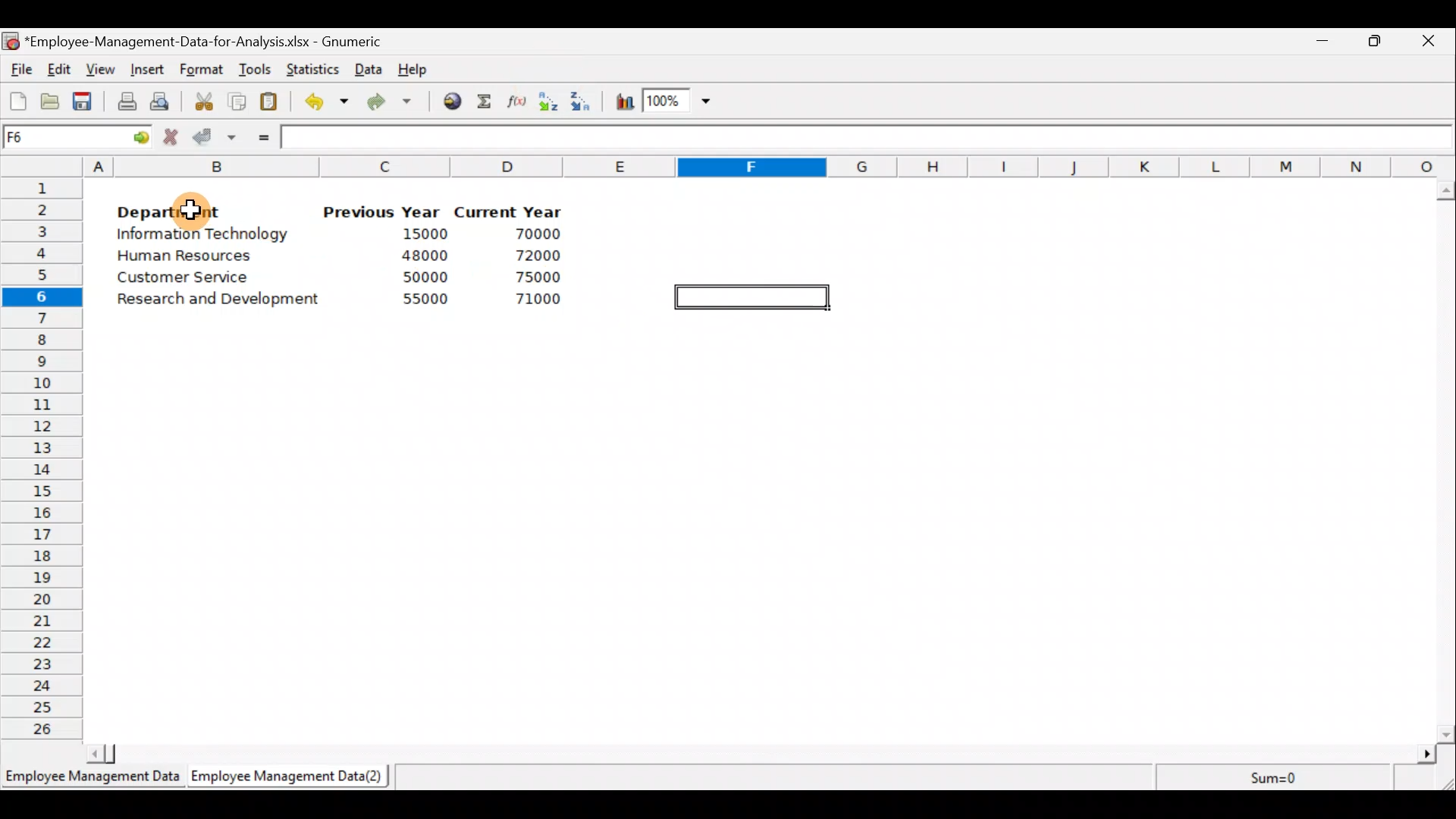 The width and height of the screenshot is (1456, 819). What do you see at coordinates (756, 296) in the screenshot?
I see `Selected cell` at bounding box center [756, 296].